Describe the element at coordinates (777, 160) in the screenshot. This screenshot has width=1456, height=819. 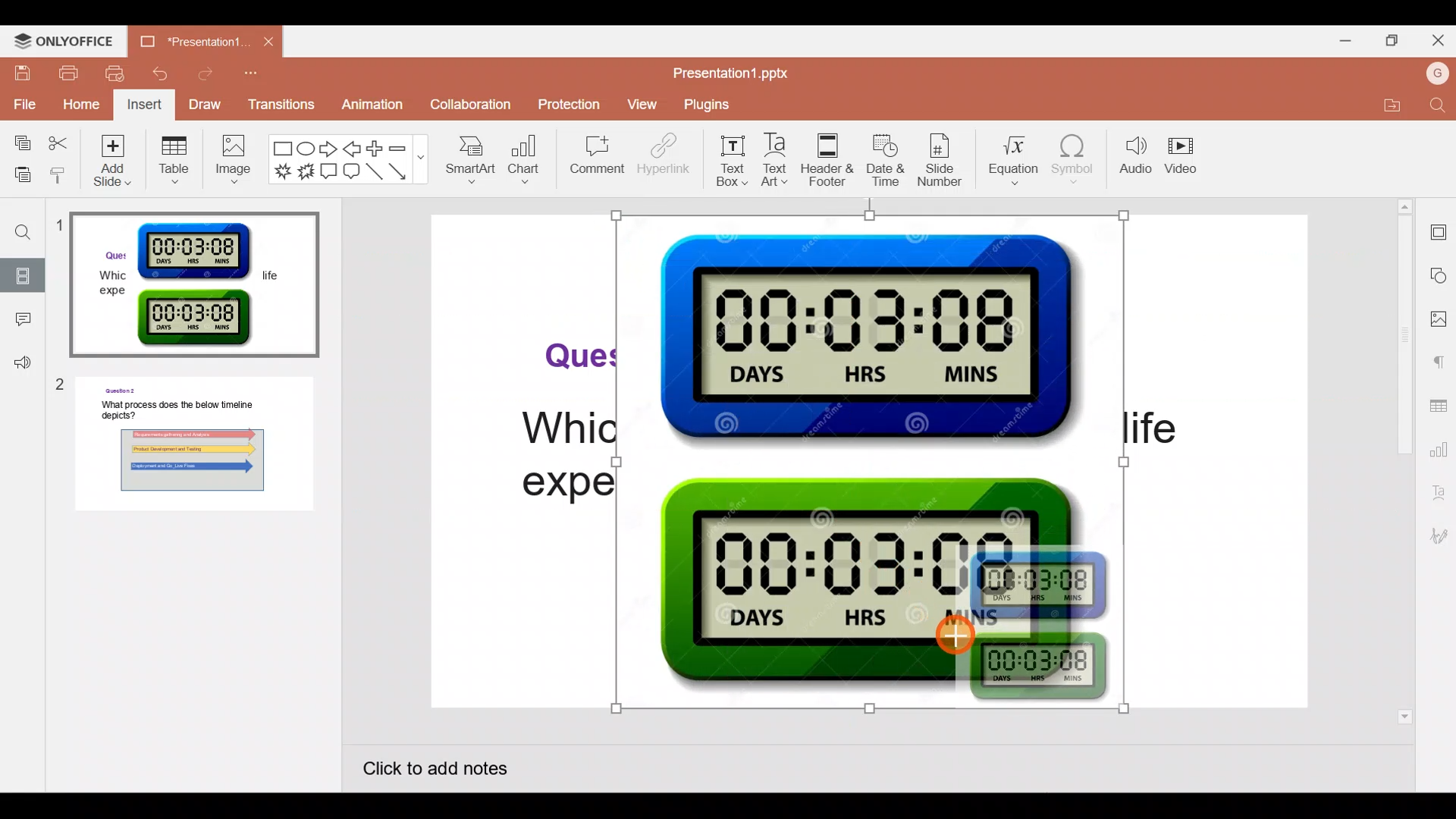
I see `Text Art` at that location.